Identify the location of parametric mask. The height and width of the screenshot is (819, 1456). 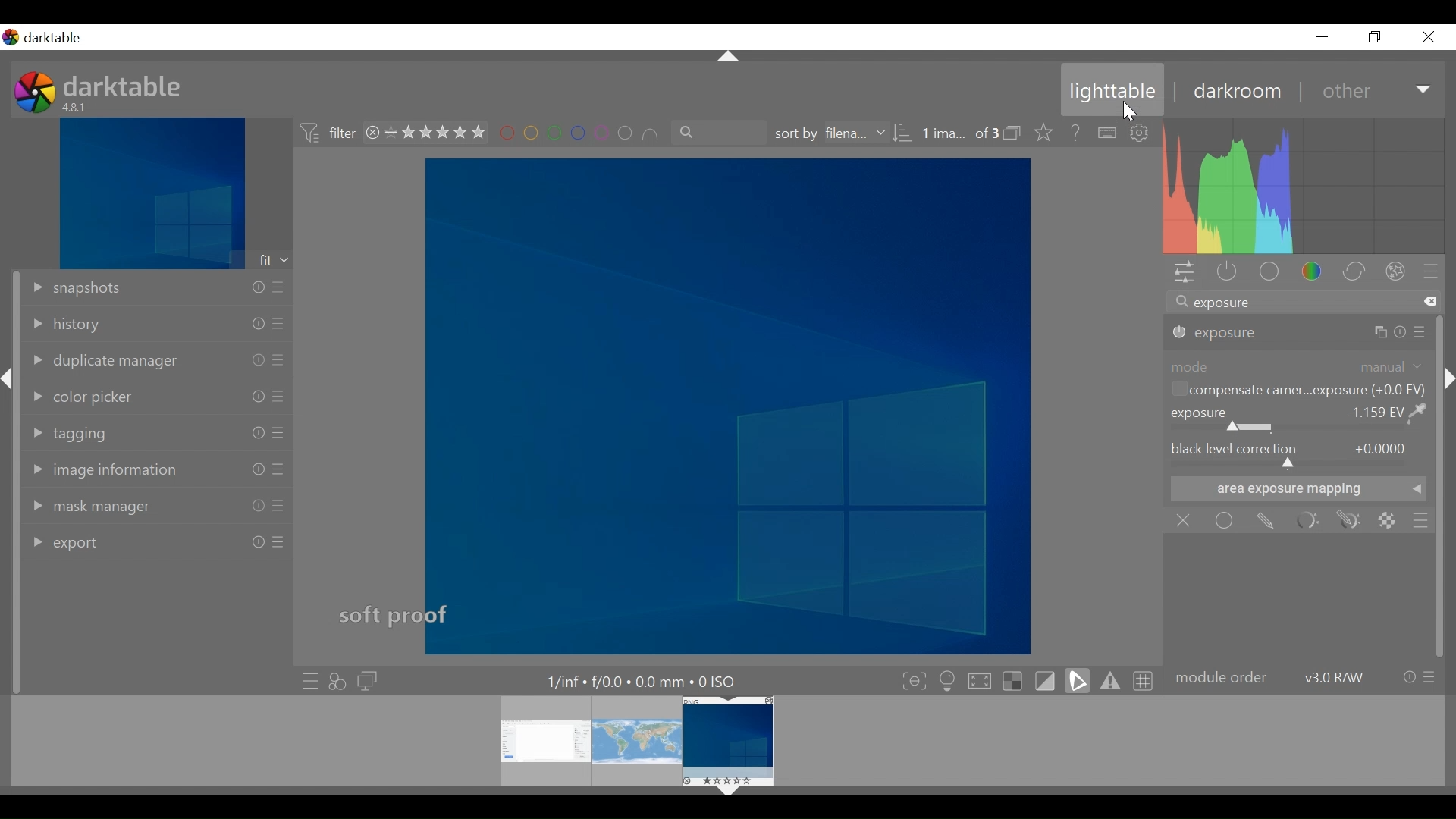
(1303, 521).